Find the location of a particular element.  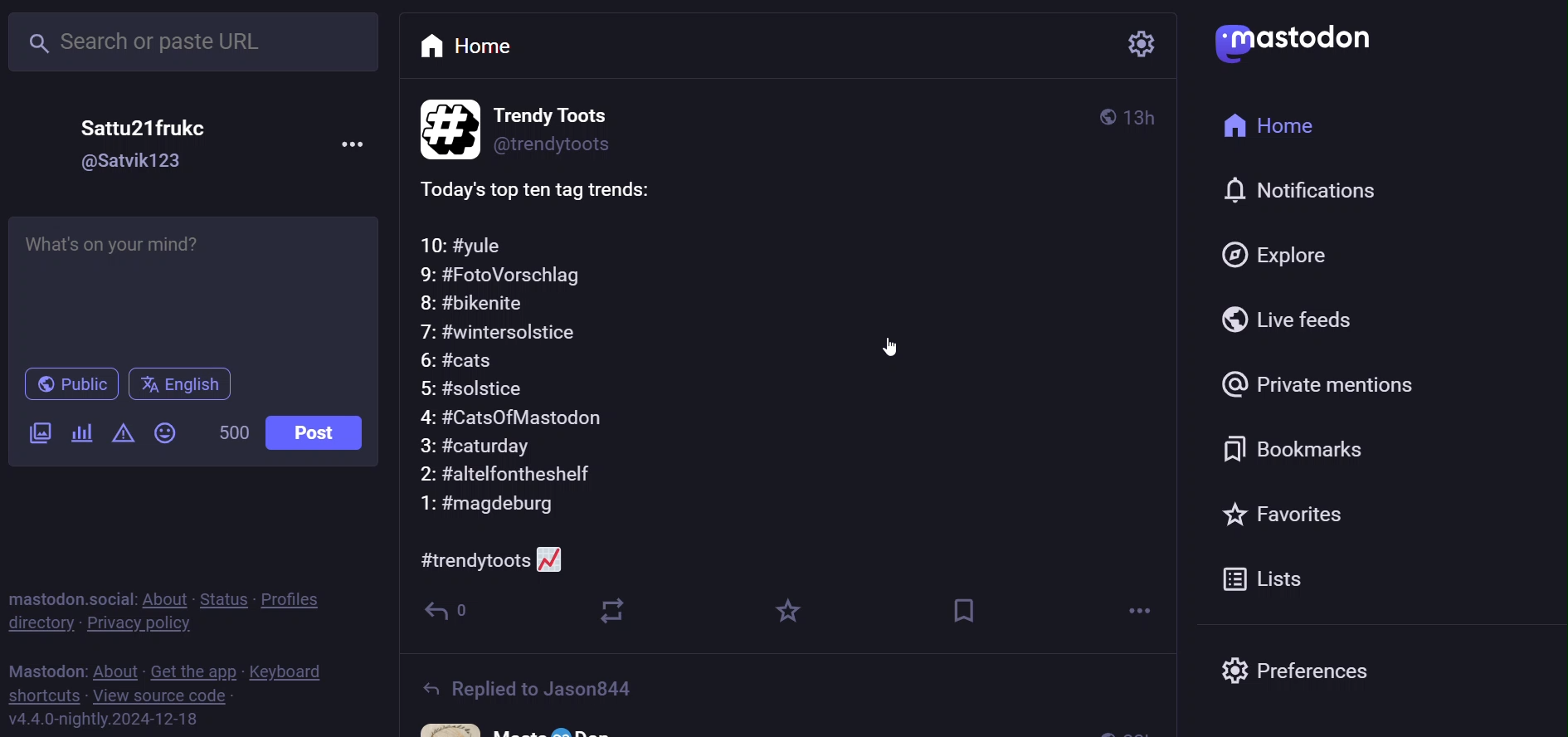

search or paste URL is located at coordinates (194, 40).